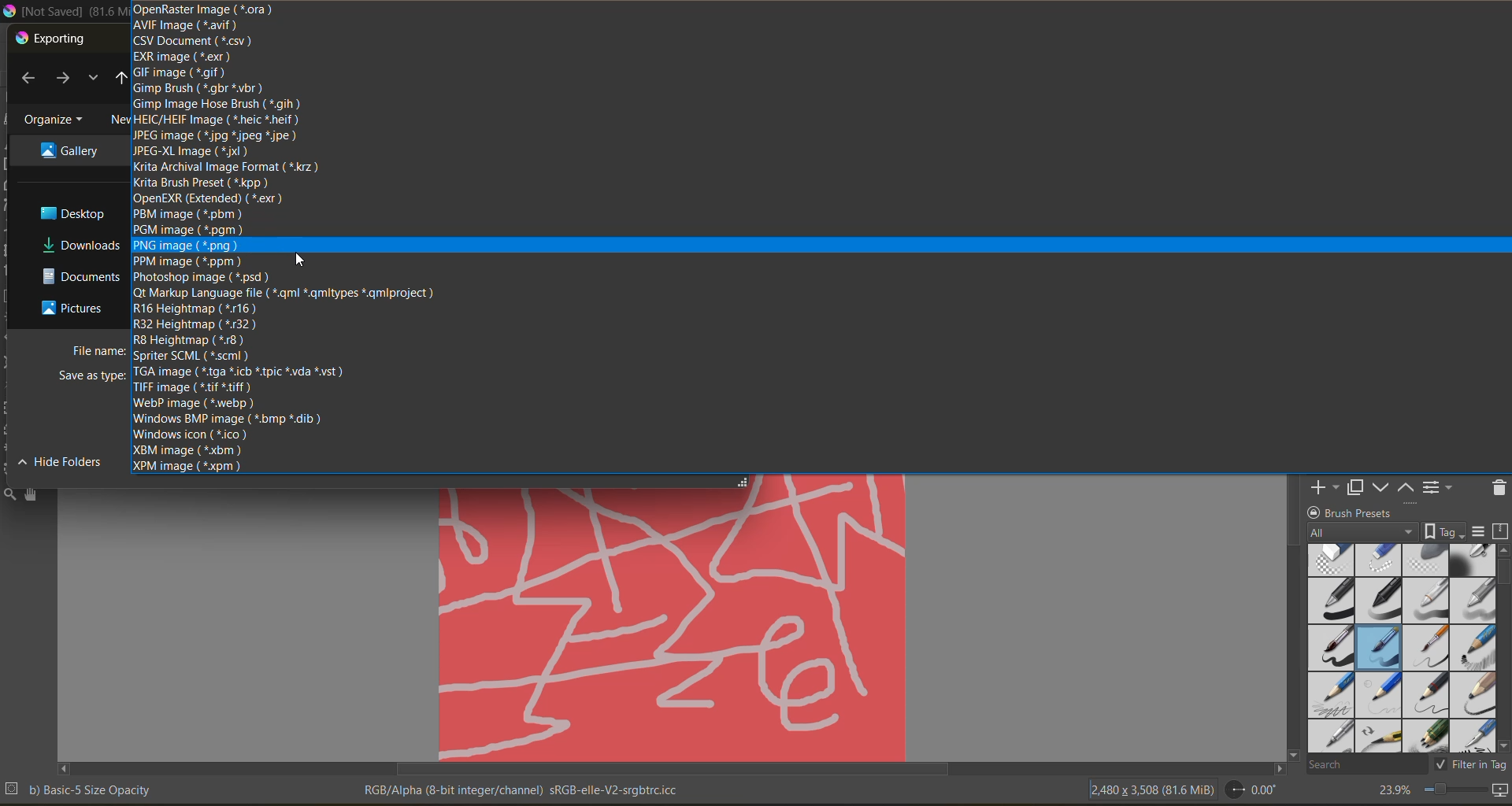 The height and width of the screenshot is (806, 1512). What do you see at coordinates (1478, 531) in the screenshot?
I see `display settings` at bounding box center [1478, 531].